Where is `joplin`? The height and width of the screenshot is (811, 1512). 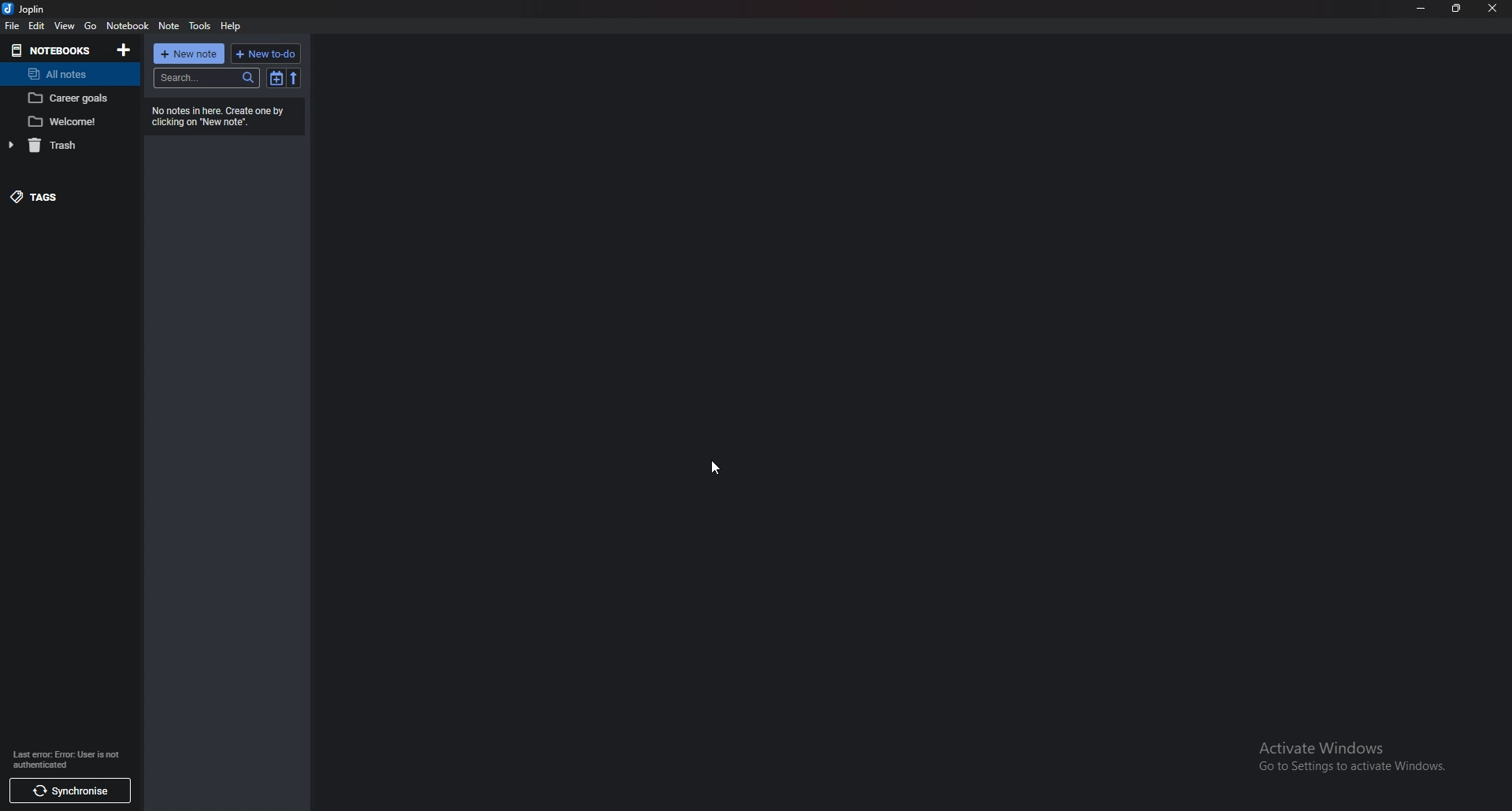
joplin is located at coordinates (29, 9).